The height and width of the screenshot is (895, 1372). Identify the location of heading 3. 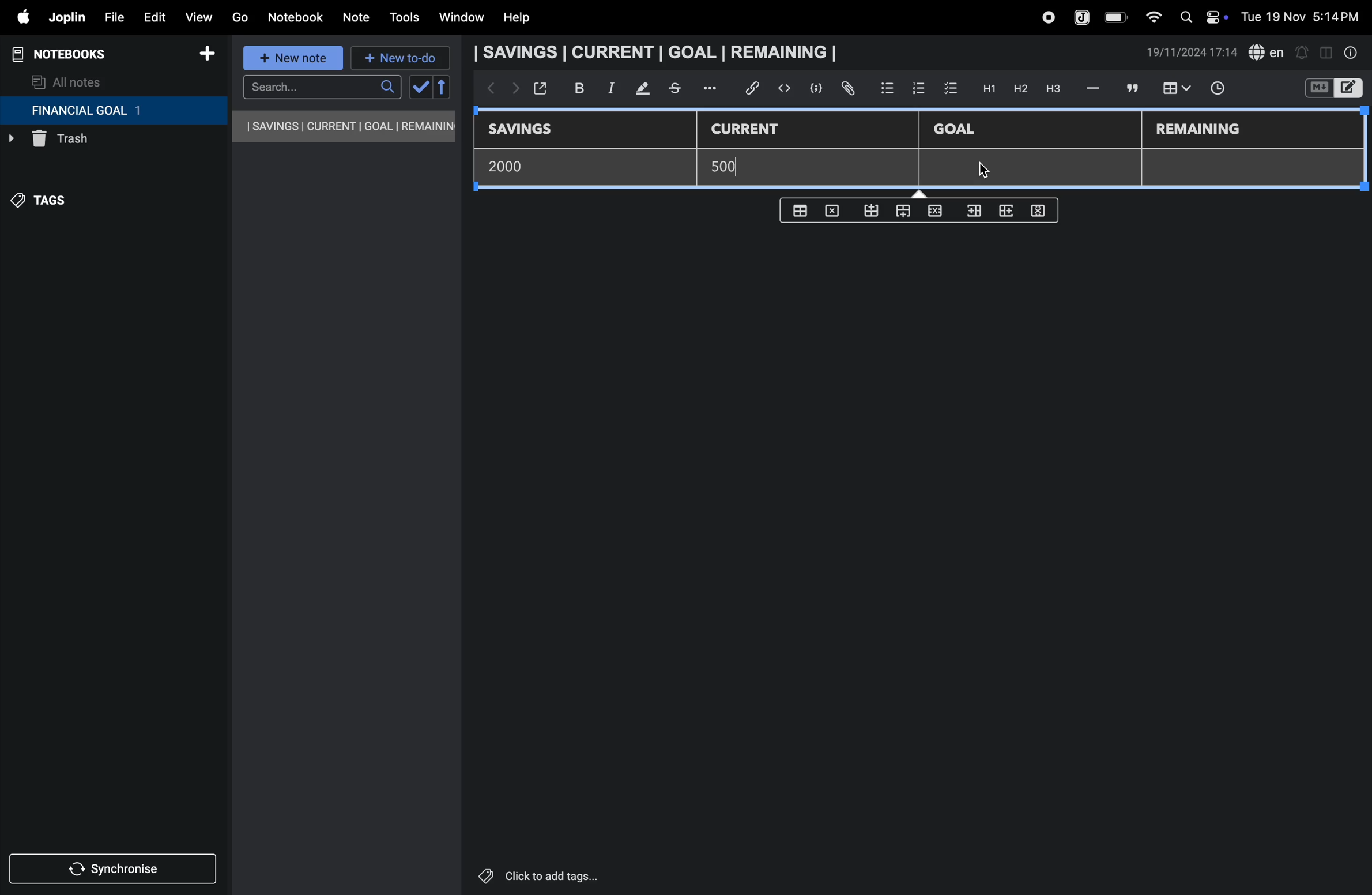
(1053, 89).